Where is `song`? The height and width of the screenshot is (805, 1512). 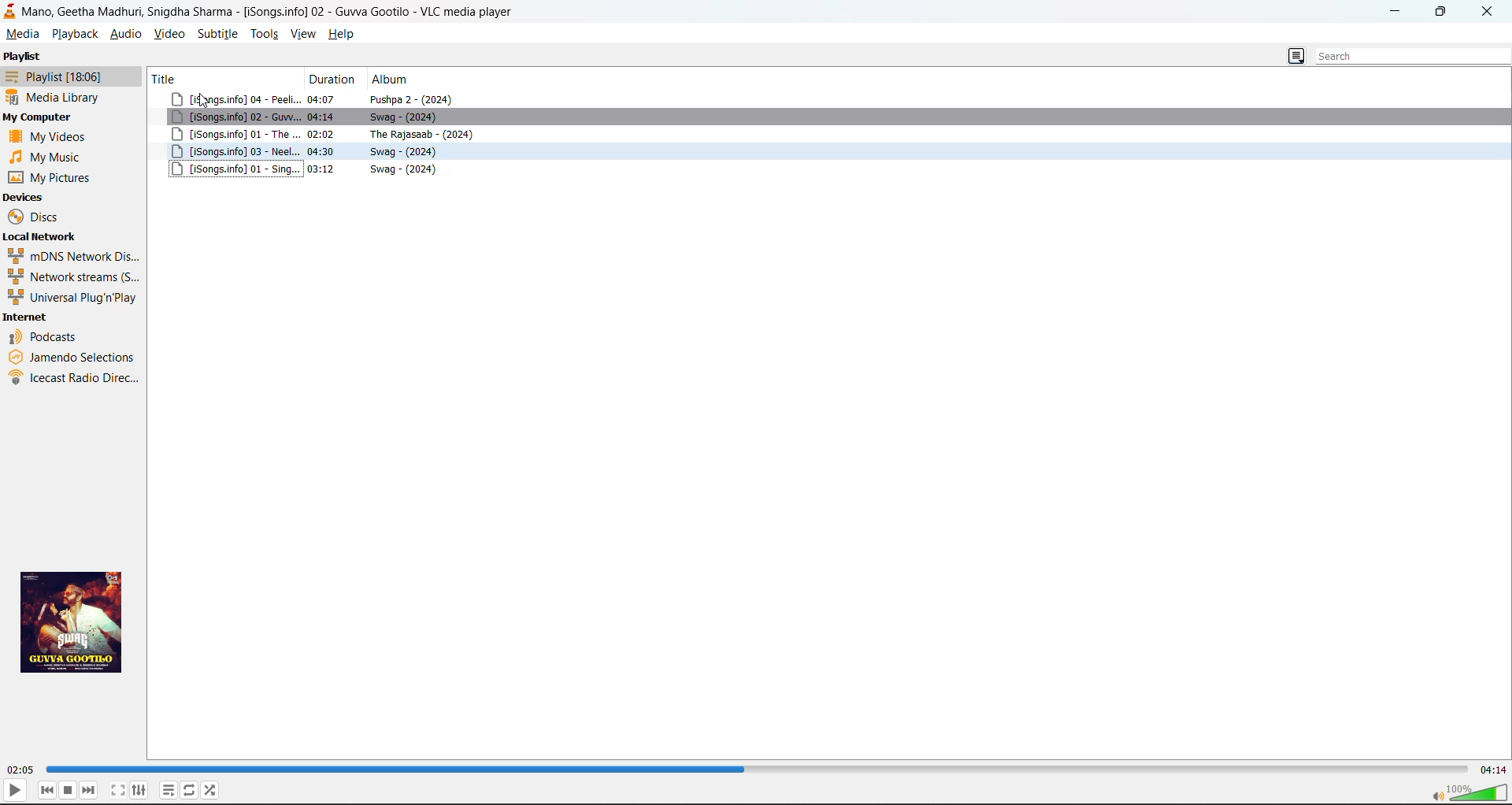
song is located at coordinates (830, 118).